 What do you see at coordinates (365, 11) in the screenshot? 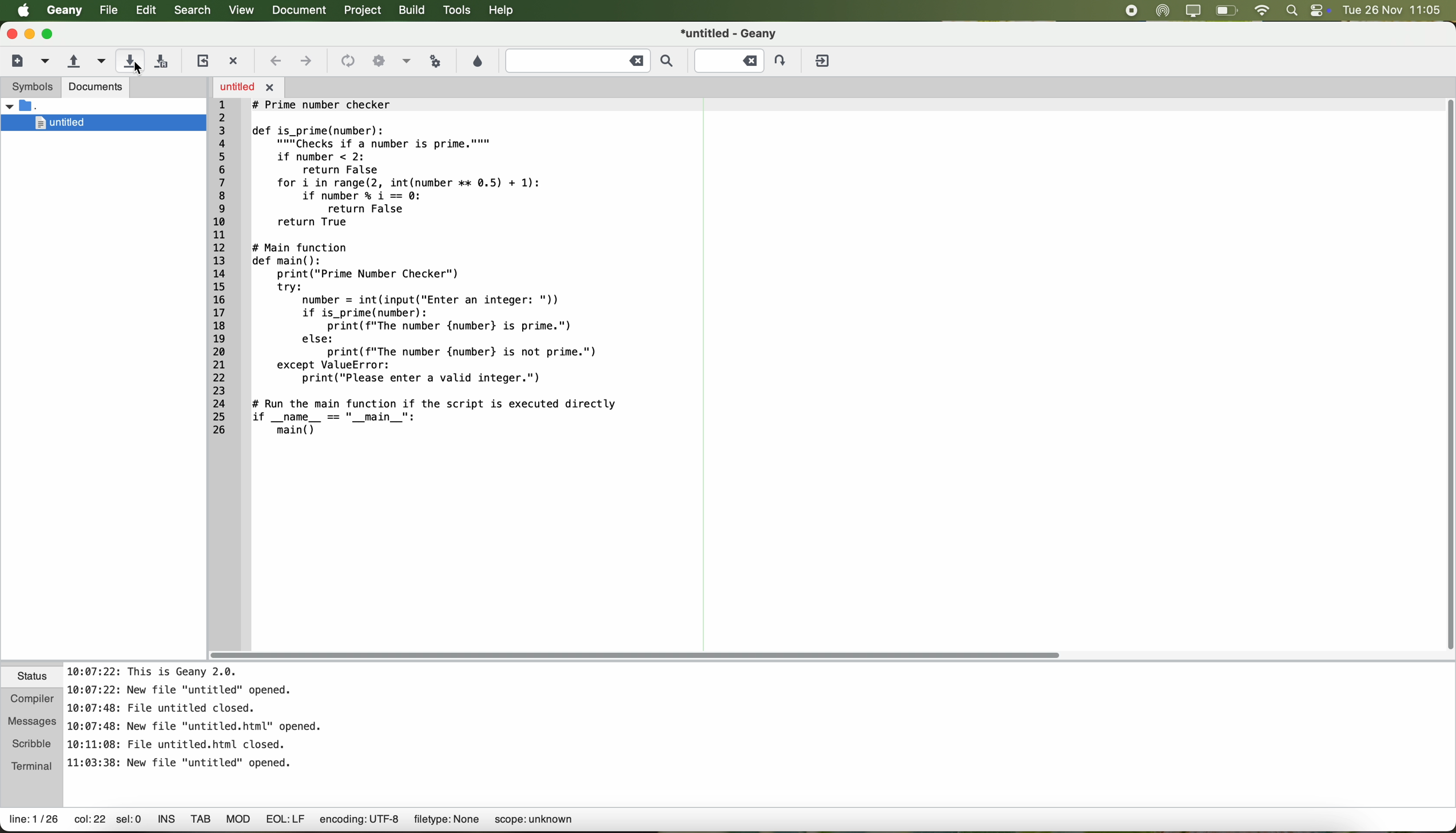
I see `project` at bounding box center [365, 11].